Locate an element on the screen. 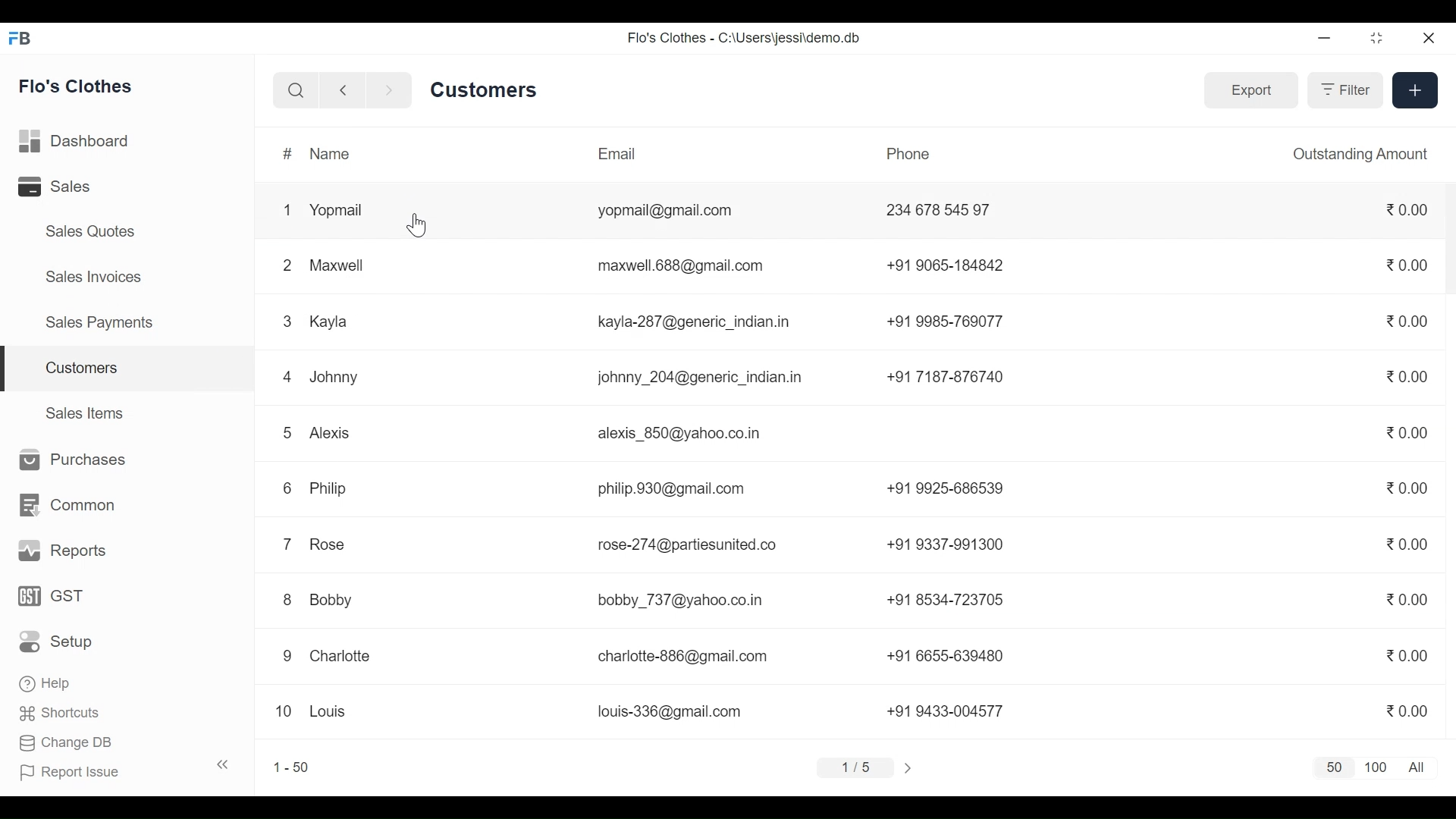  Navigate Forward is located at coordinates (389, 89).